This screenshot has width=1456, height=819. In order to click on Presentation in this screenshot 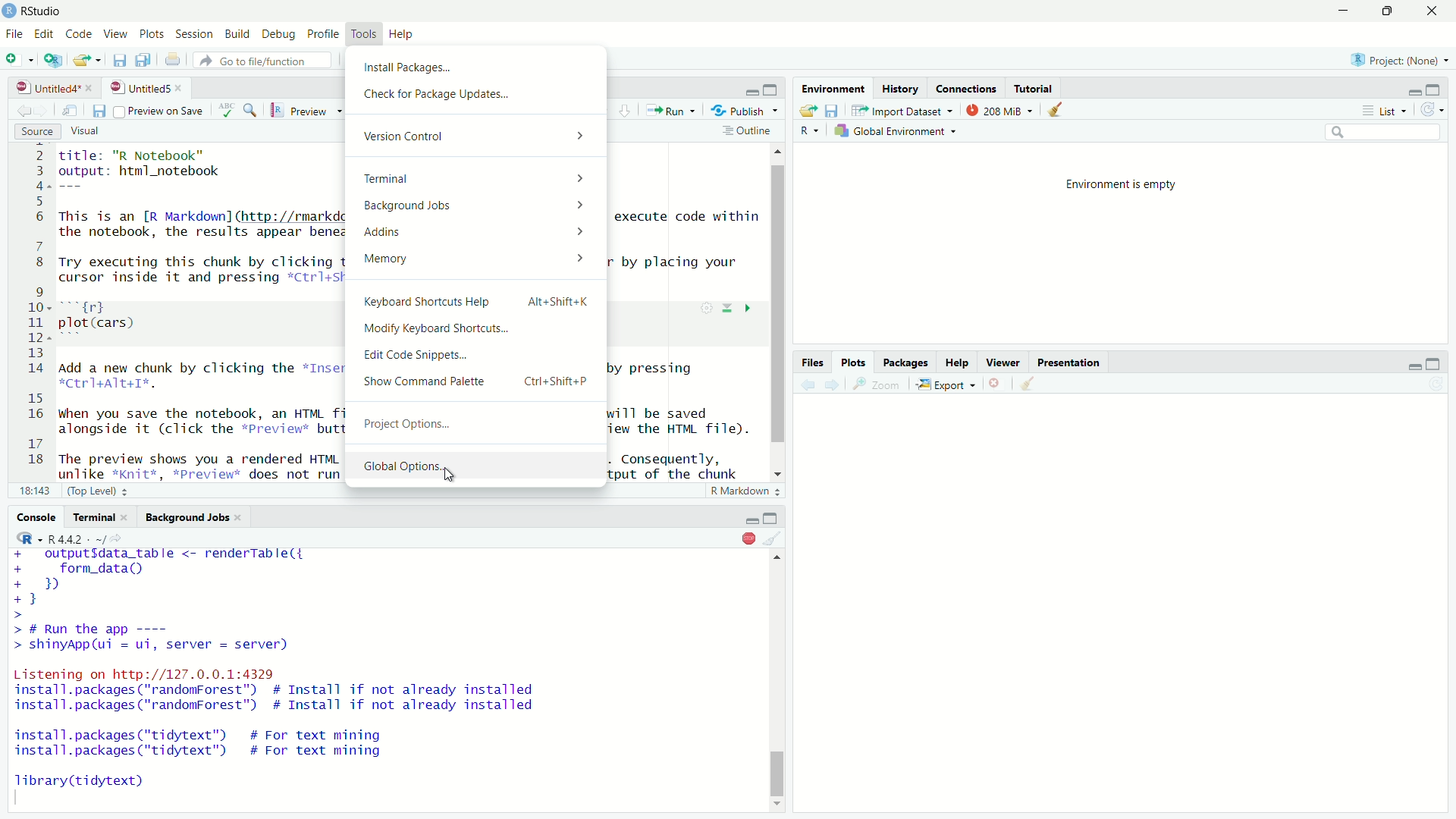, I will do `click(1068, 362)`.